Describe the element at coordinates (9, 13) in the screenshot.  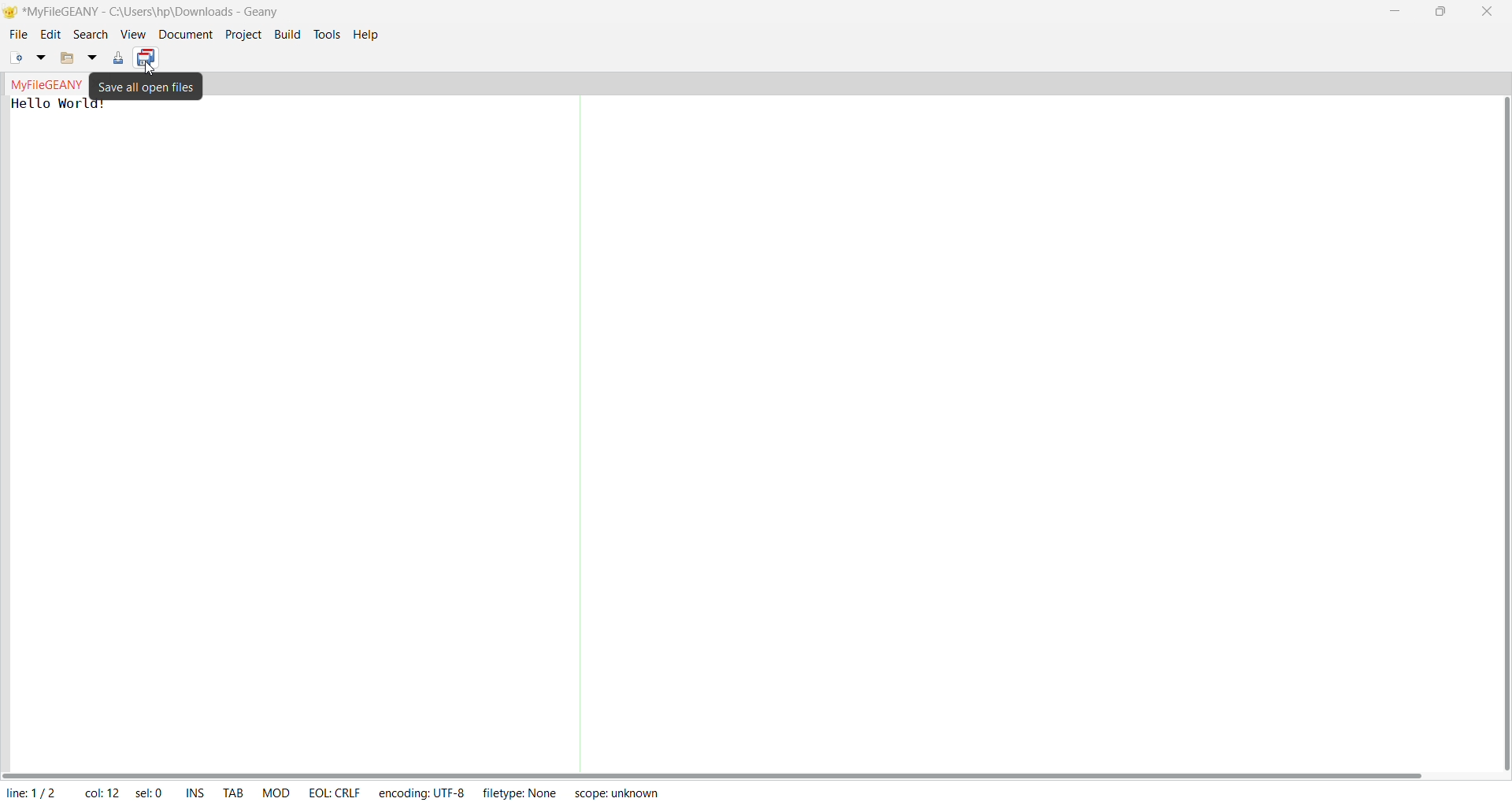
I see `Logo` at that location.